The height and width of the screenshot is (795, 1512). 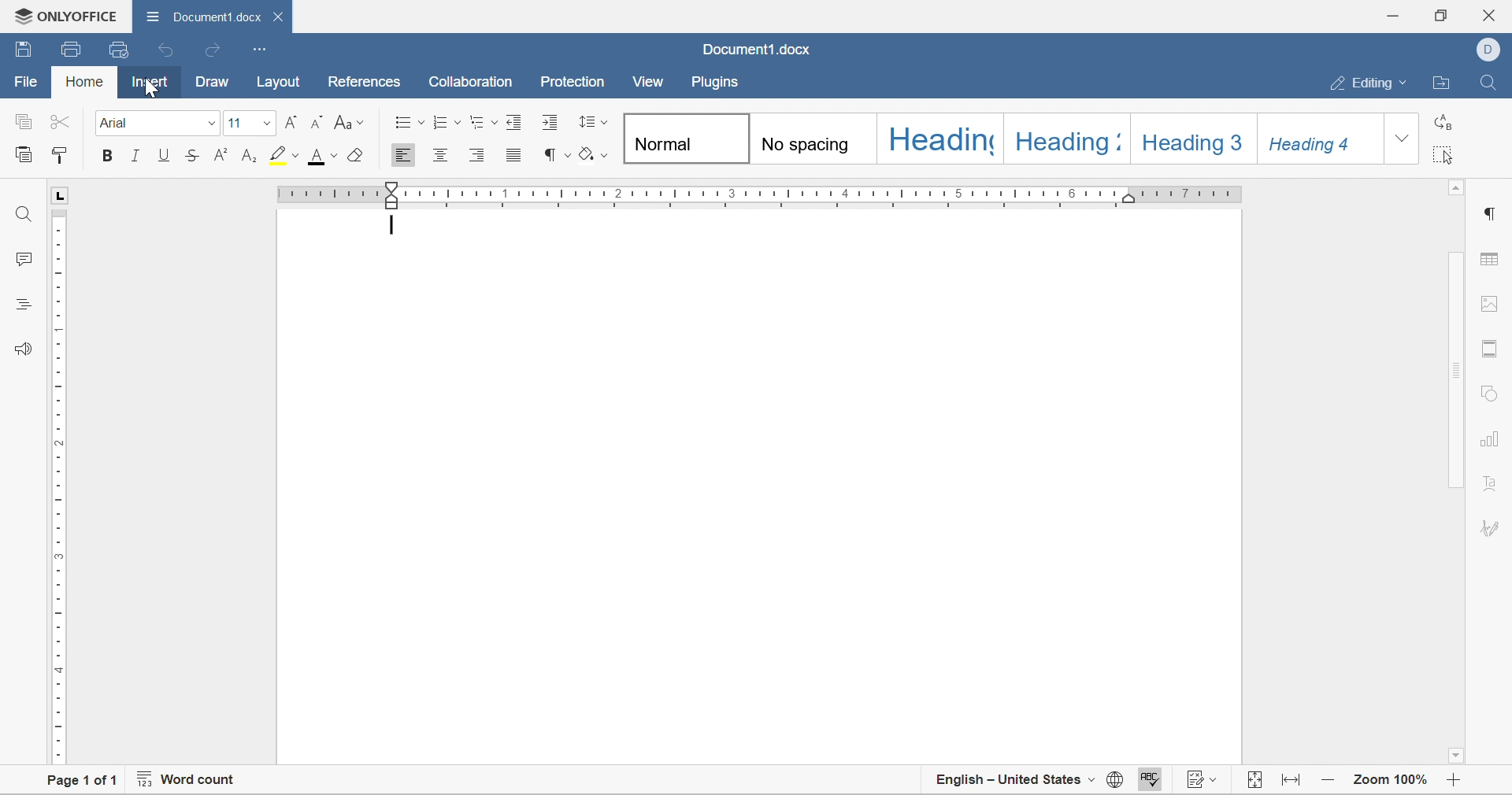 What do you see at coordinates (149, 83) in the screenshot?
I see `Insert` at bounding box center [149, 83].